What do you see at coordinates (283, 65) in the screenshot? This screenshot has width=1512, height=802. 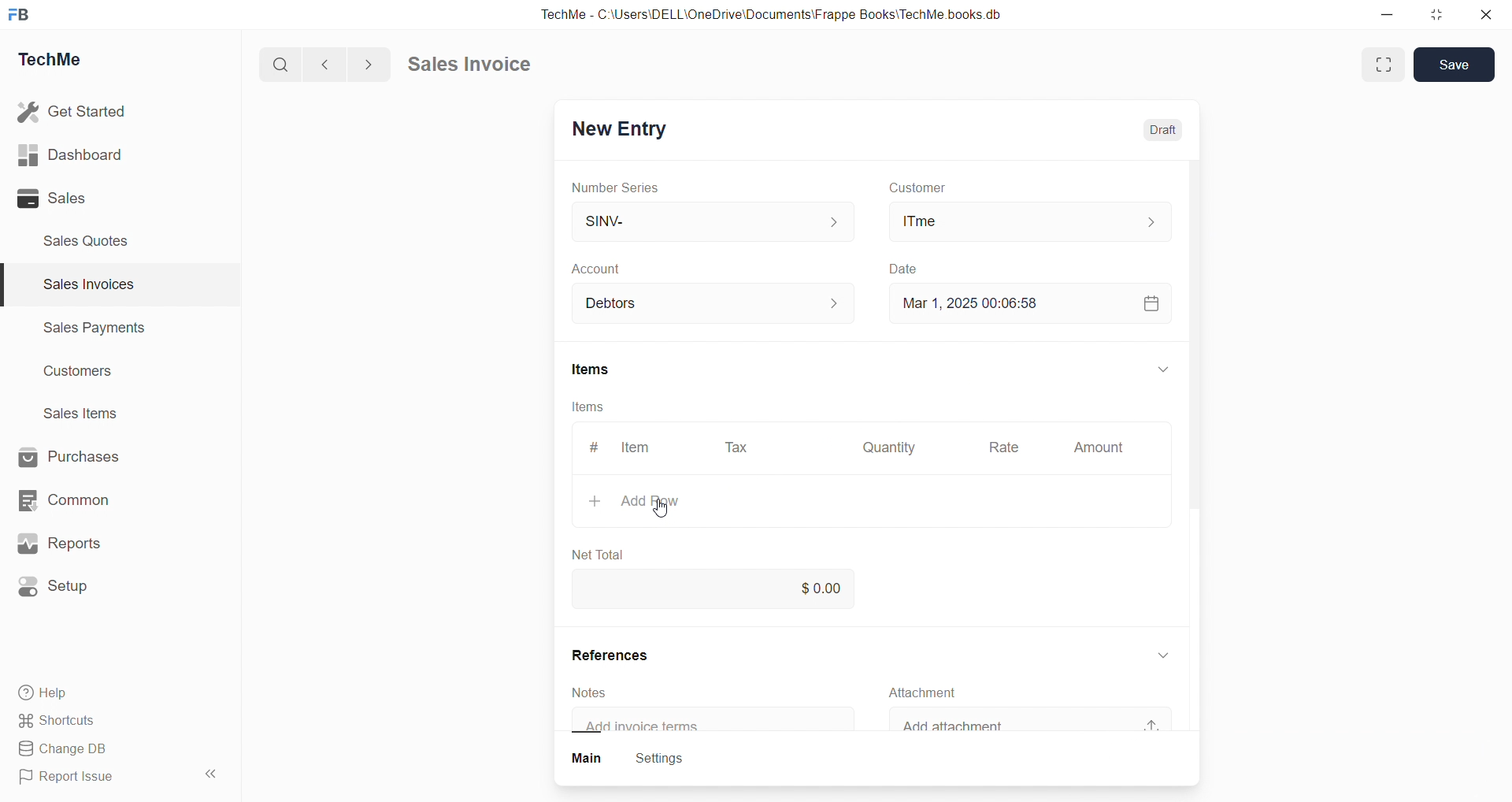 I see `Search buton` at bounding box center [283, 65].